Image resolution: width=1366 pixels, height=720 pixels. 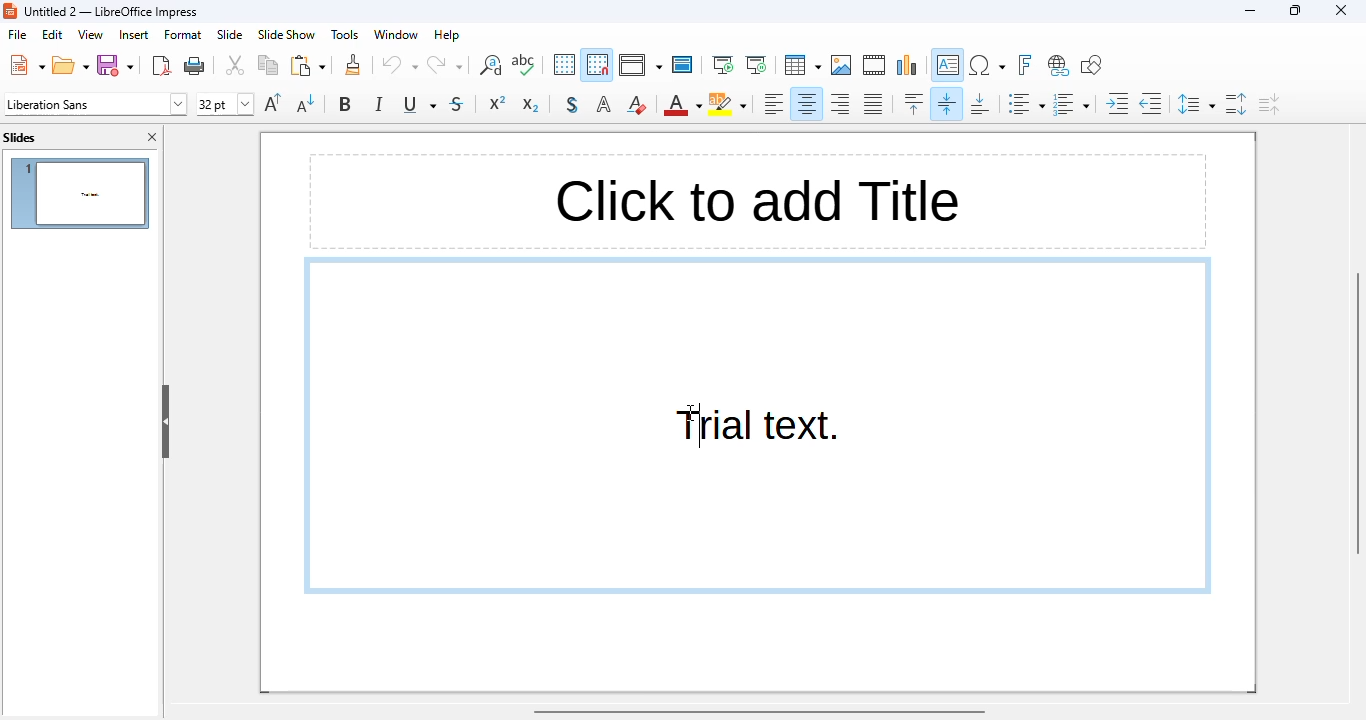 What do you see at coordinates (523, 64) in the screenshot?
I see `spelling` at bounding box center [523, 64].